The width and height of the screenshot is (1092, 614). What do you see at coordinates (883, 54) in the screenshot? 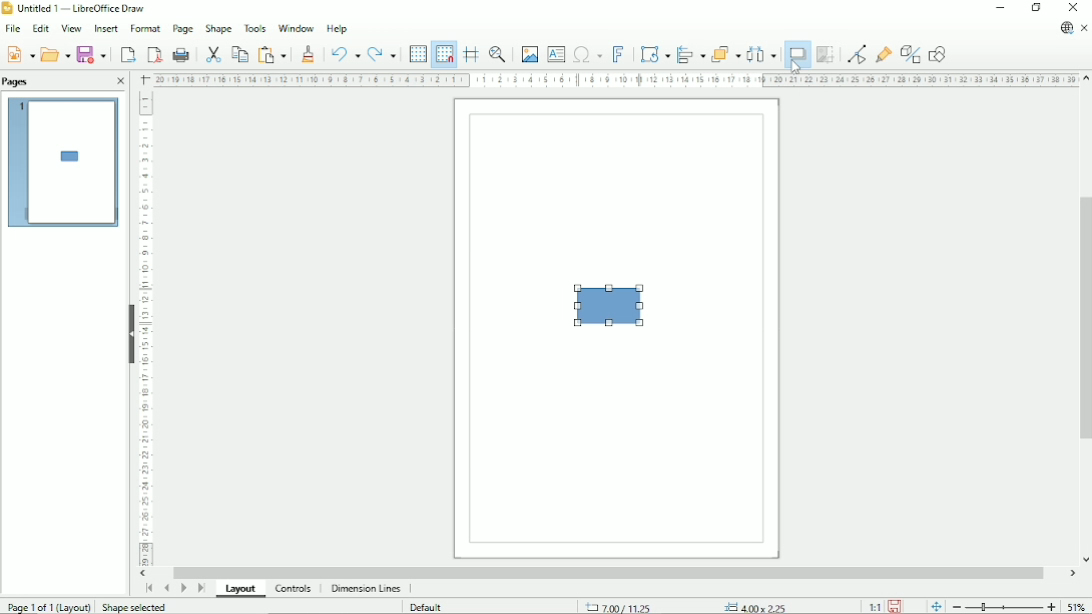
I see `Show gluepoint functions` at bounding box center [883, 54].